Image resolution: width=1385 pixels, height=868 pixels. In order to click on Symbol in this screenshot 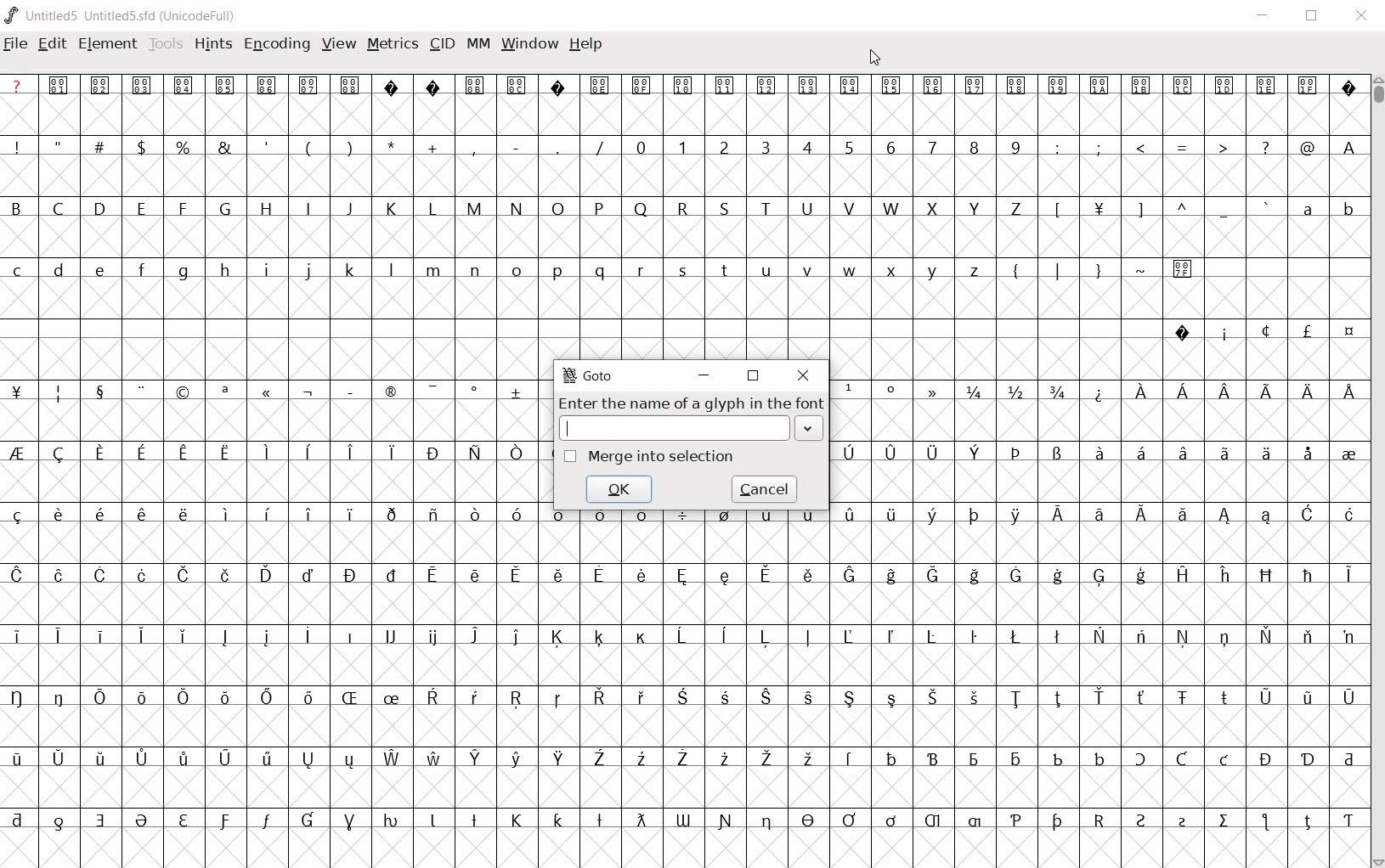, I will do `click(140, 758)`.